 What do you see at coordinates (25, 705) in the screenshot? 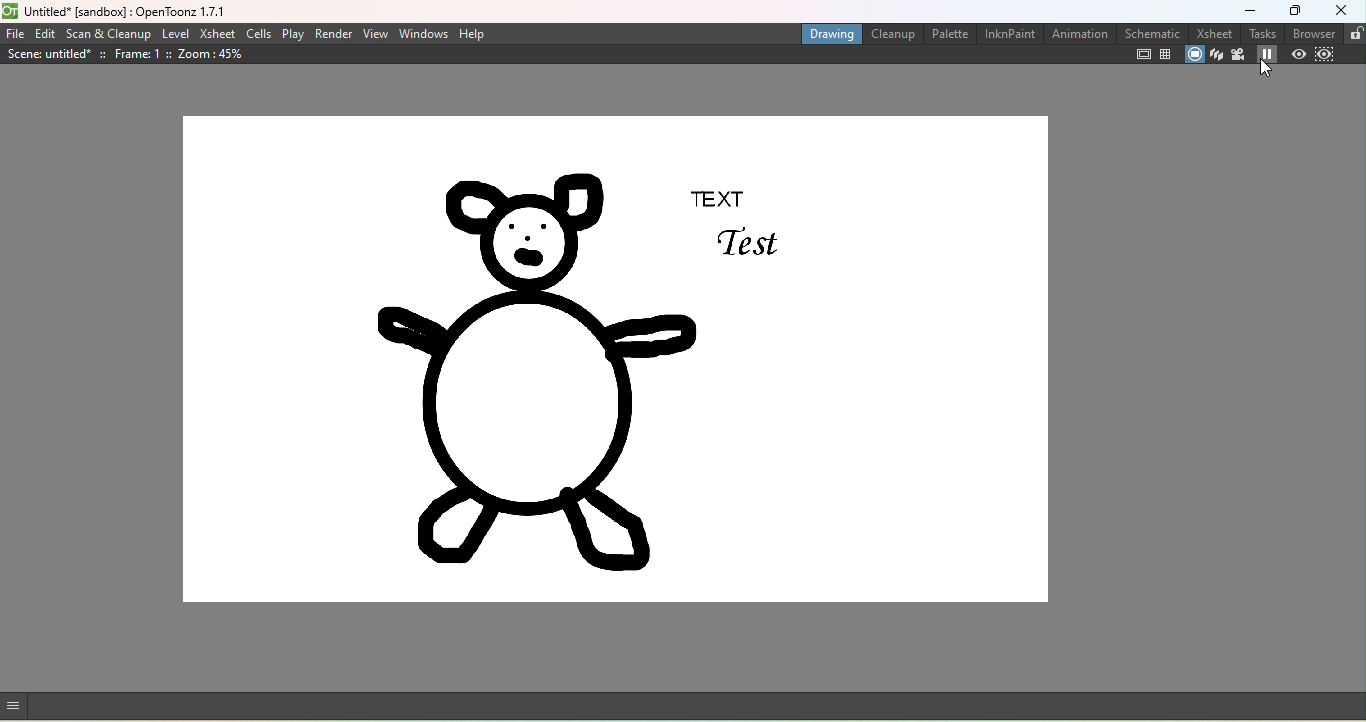
I see `GUI show/hide` at bounding box center [25, 705].